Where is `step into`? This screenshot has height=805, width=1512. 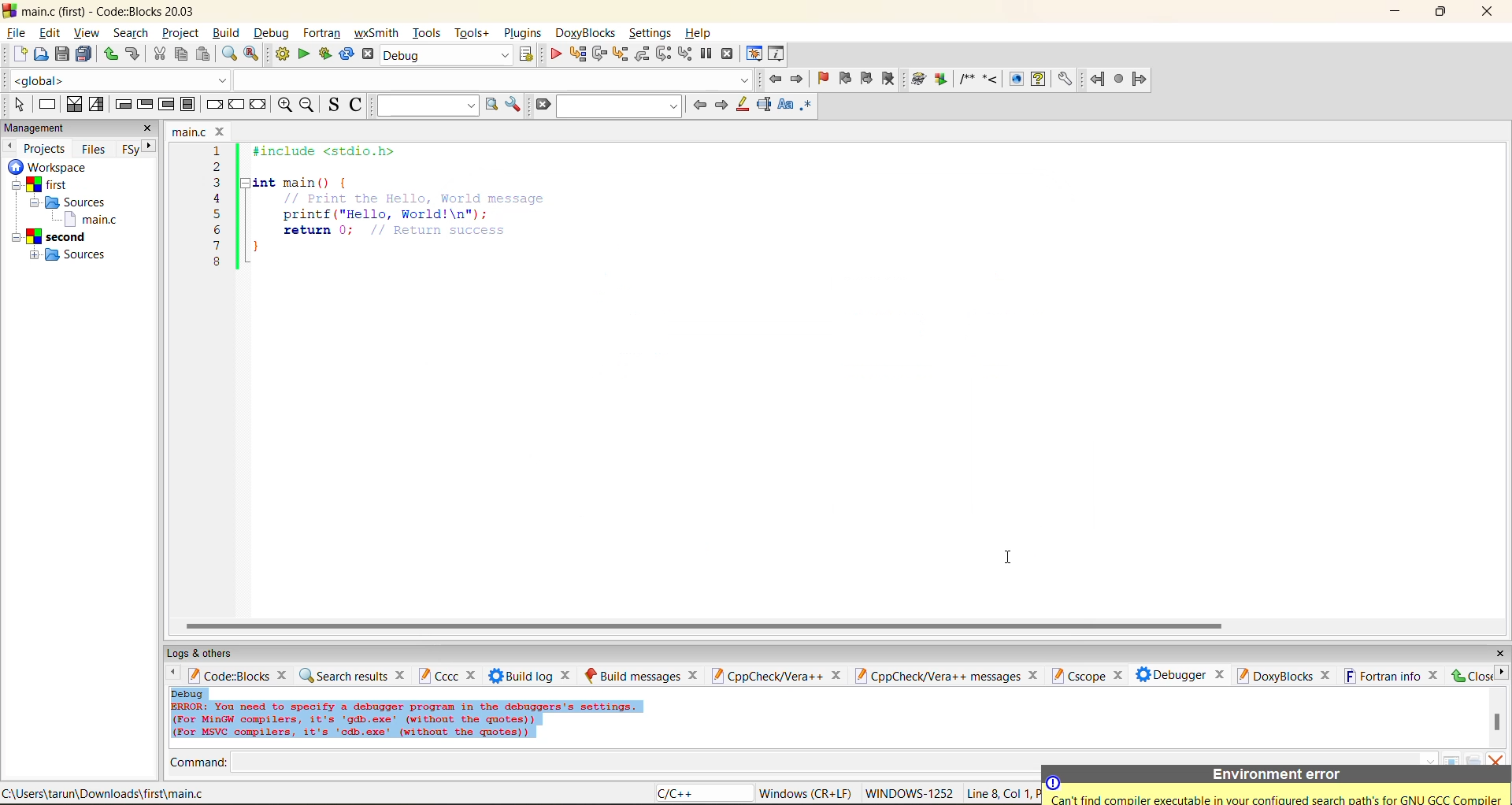
step into is located at coordinates (990, 78).